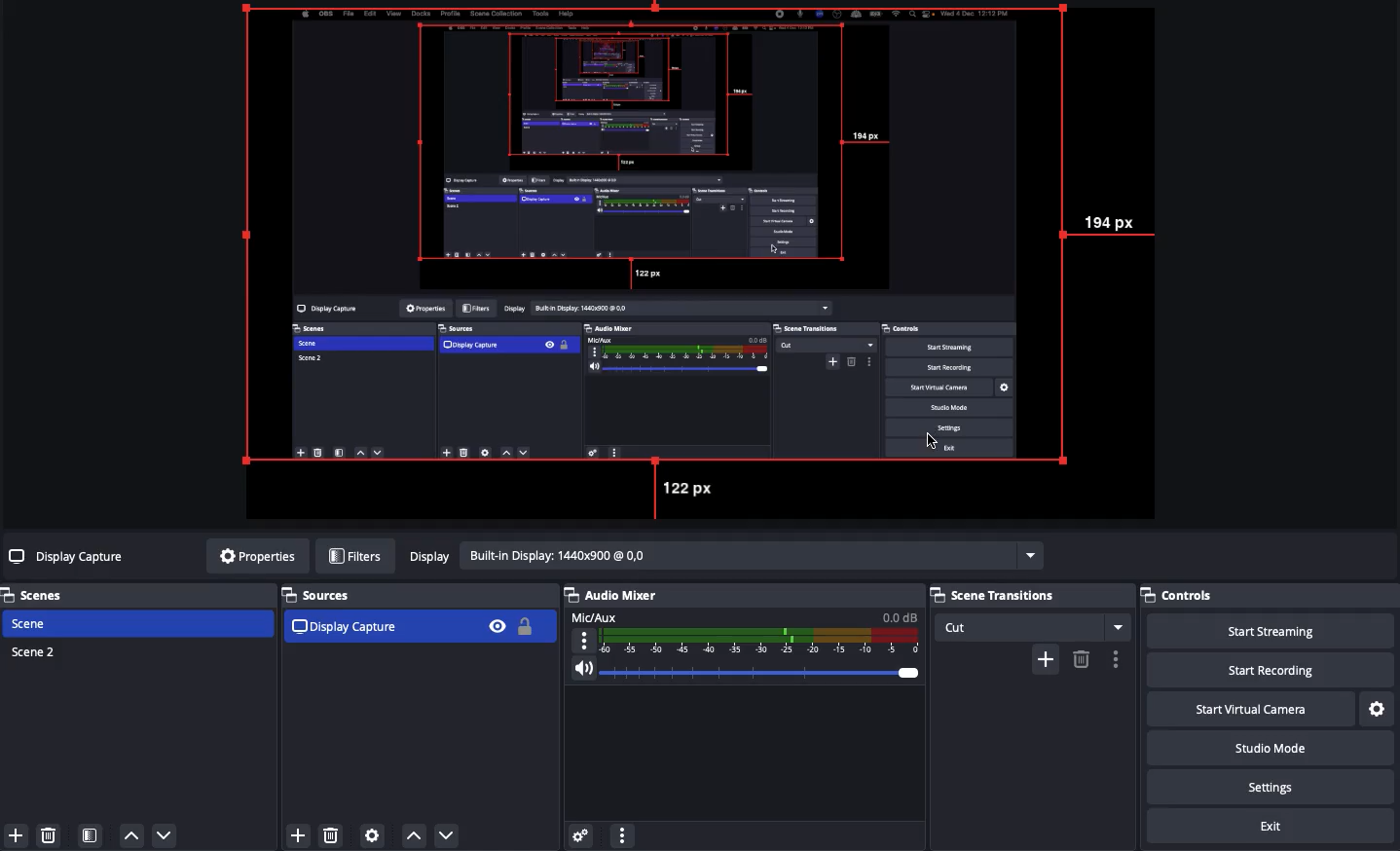  I want to click on Sources, so click(417, 615).